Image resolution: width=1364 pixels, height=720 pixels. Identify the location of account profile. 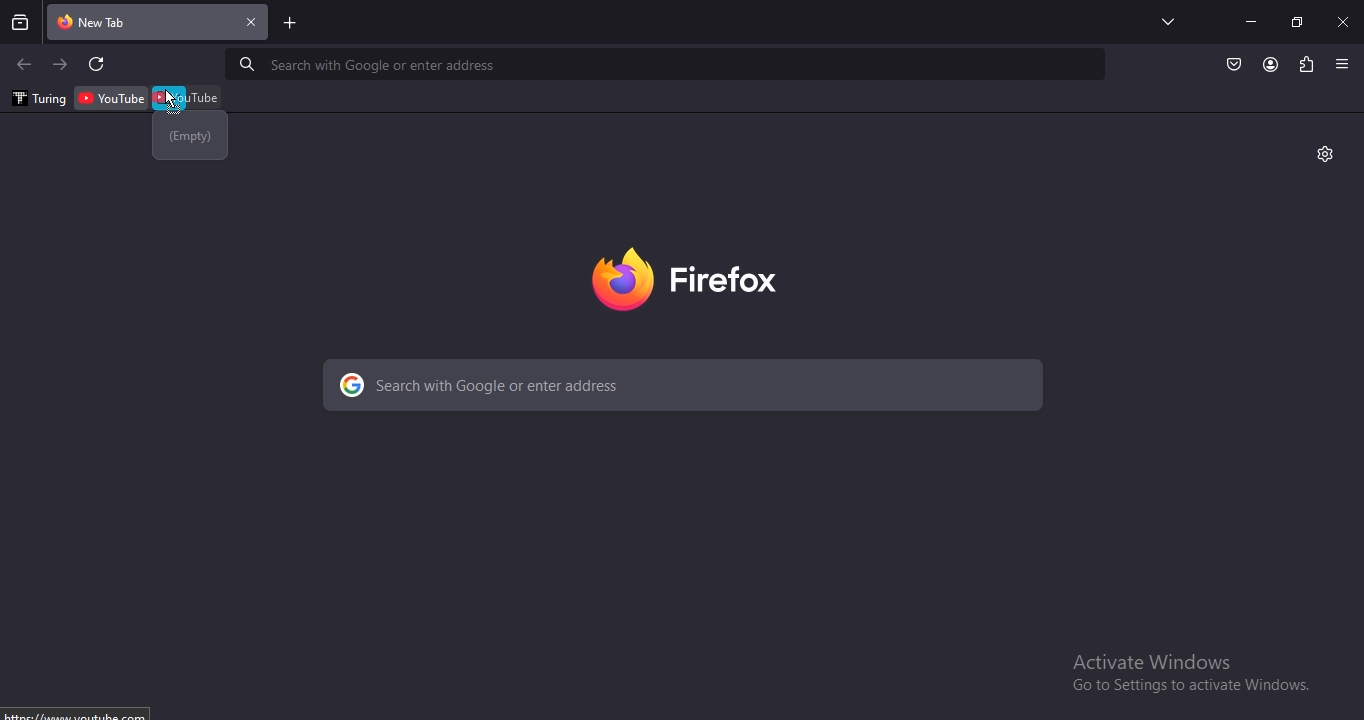
(1269, 66).